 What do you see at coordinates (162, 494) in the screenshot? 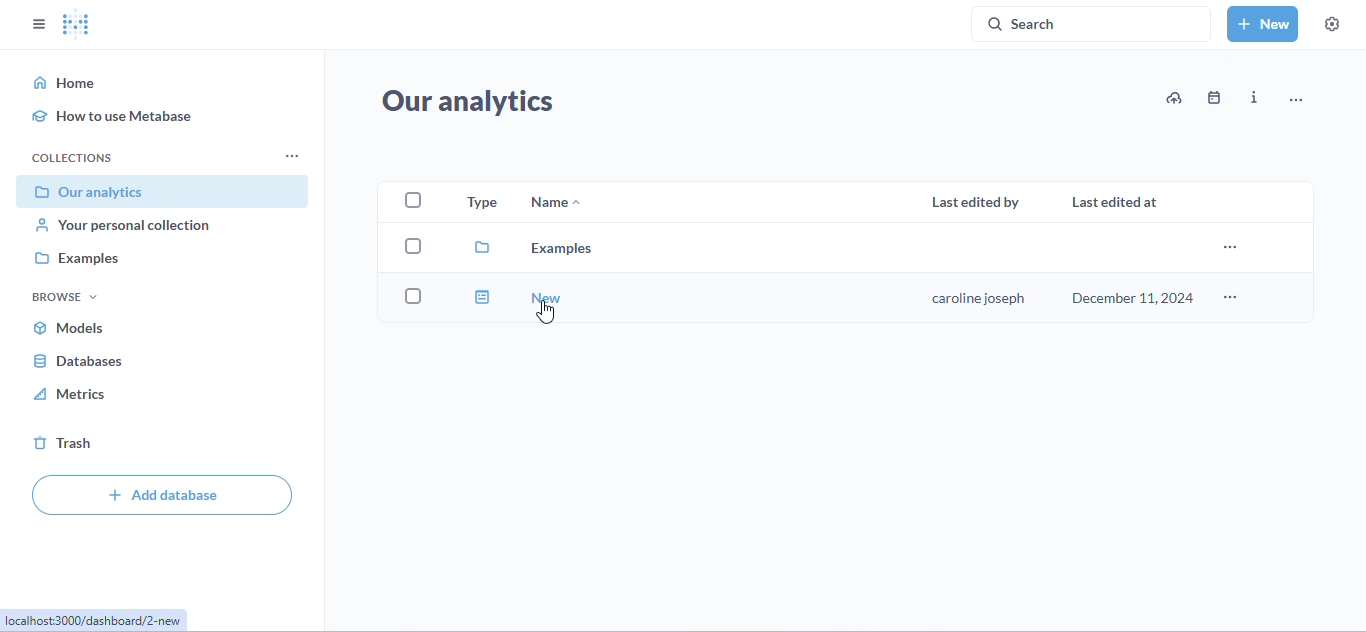
I see `add database` at bounding box center [162, 494].